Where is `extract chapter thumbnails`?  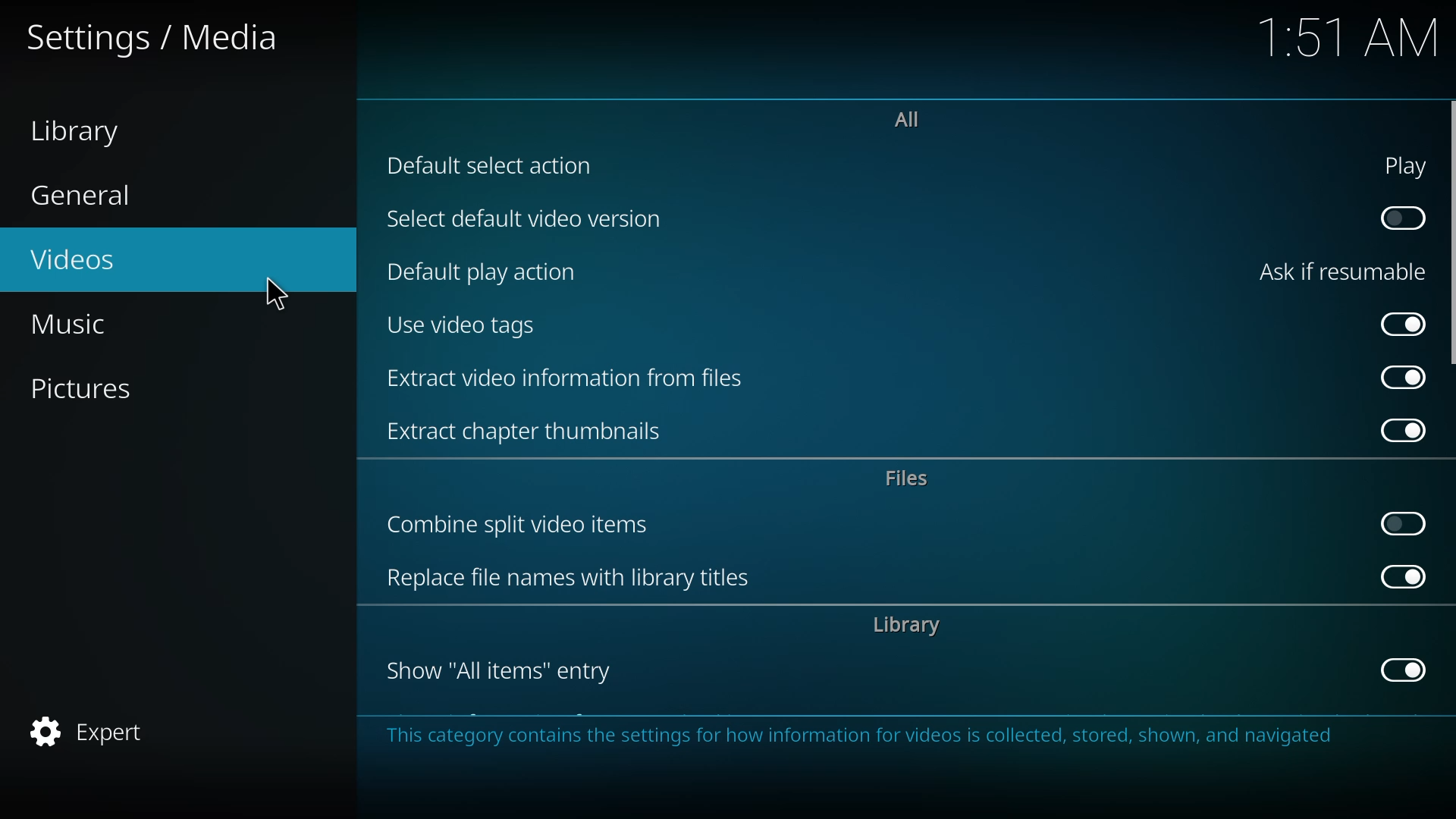
extract chapter thumbnails is located at coordinates (534, 431).